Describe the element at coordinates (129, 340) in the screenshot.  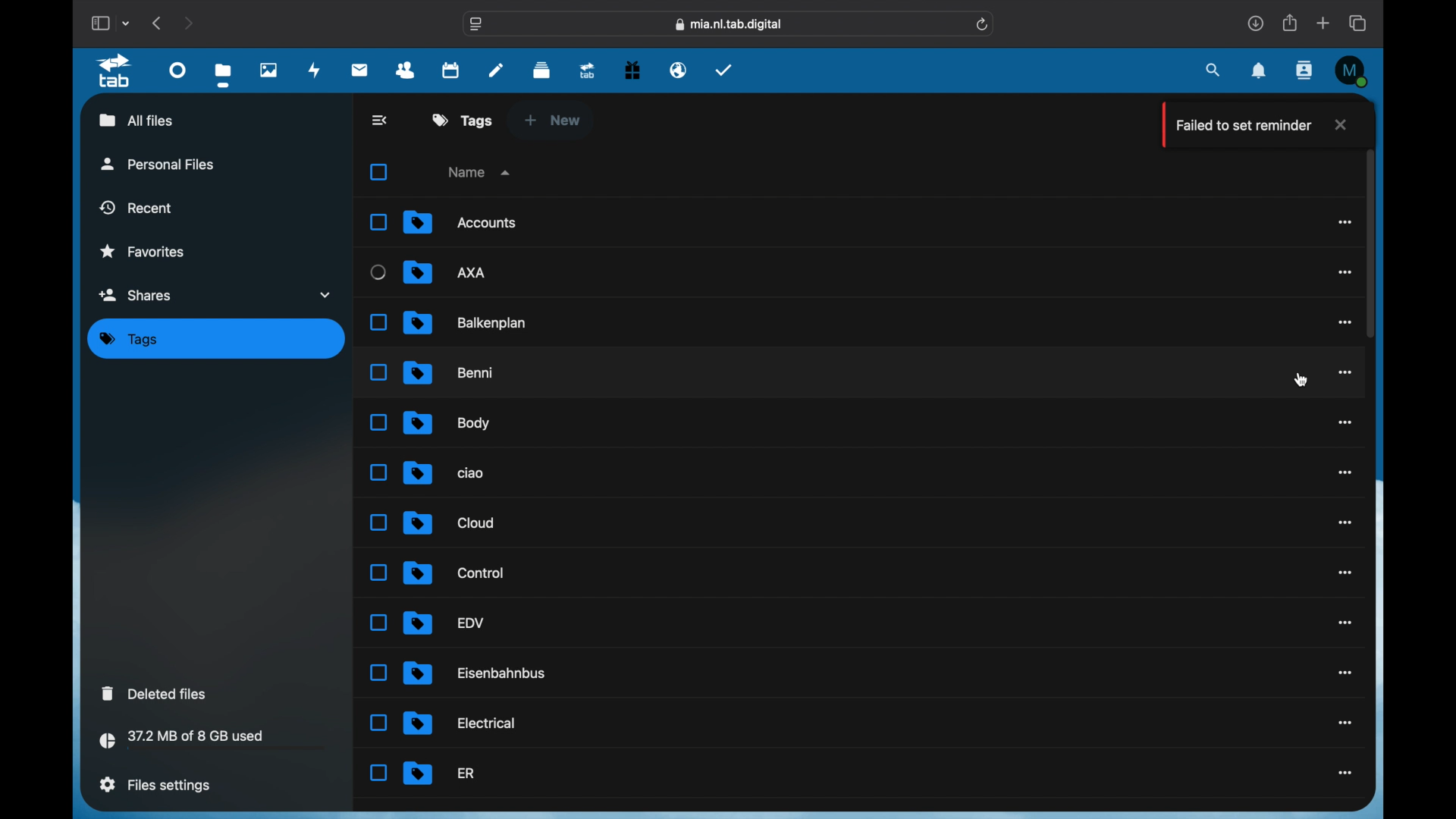
I see `tags` at that location.